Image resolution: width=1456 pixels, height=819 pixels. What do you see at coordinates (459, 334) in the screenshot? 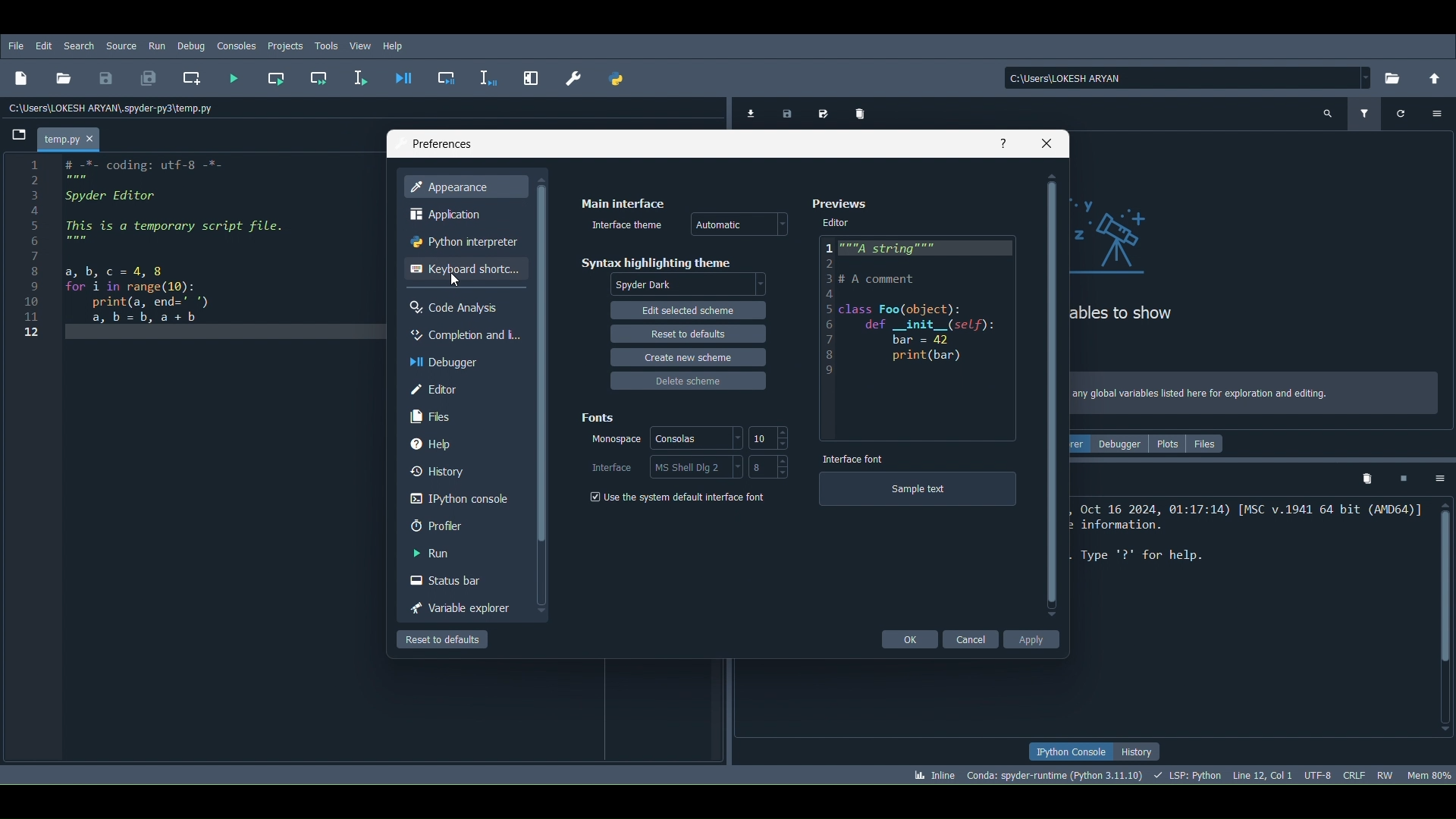
I see `Completion and linting` at bounding box center [459, 334].